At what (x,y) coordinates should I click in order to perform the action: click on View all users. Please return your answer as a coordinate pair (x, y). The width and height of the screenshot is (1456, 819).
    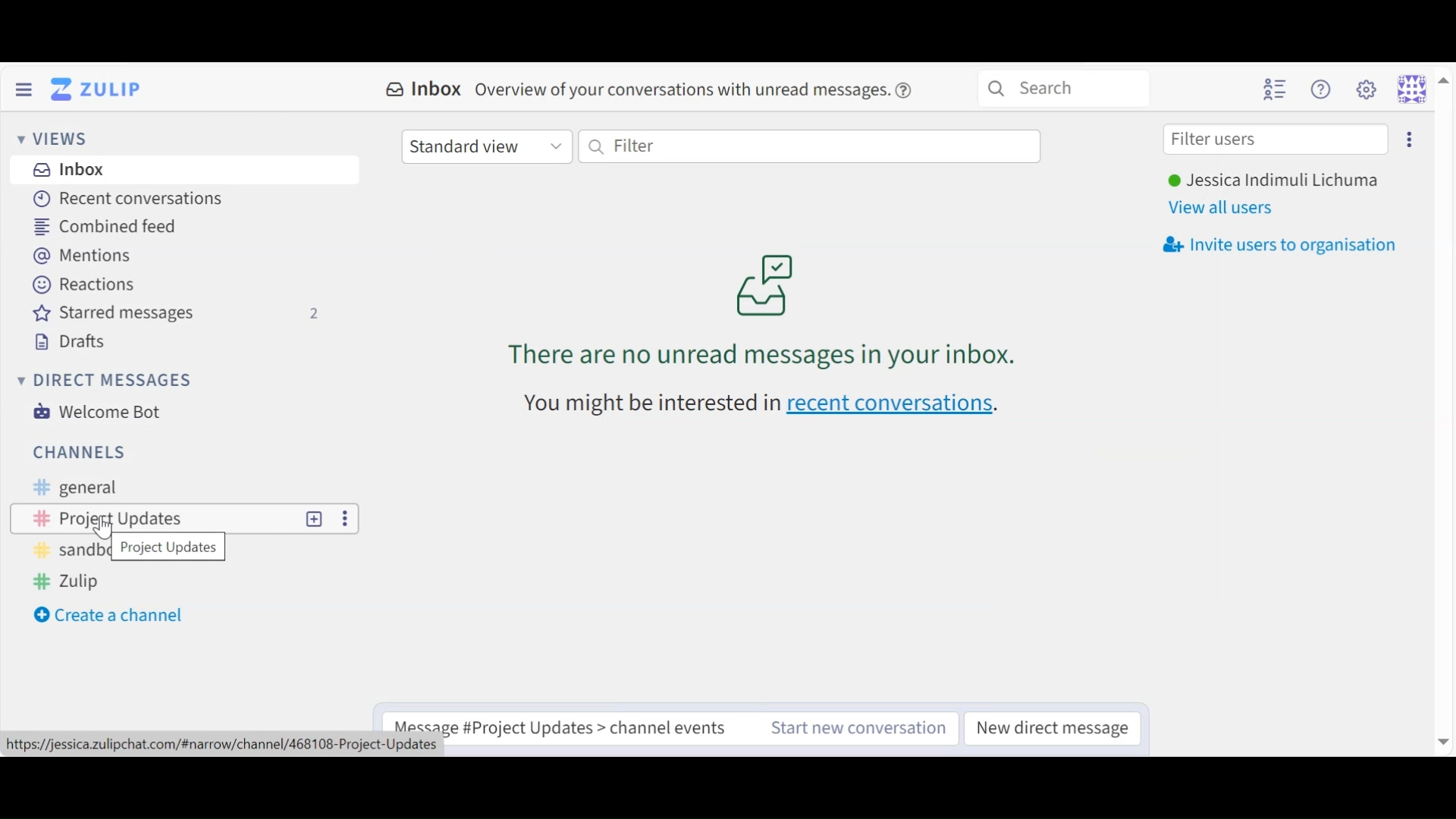
    Looking at the image, I should click on (1226, 207).